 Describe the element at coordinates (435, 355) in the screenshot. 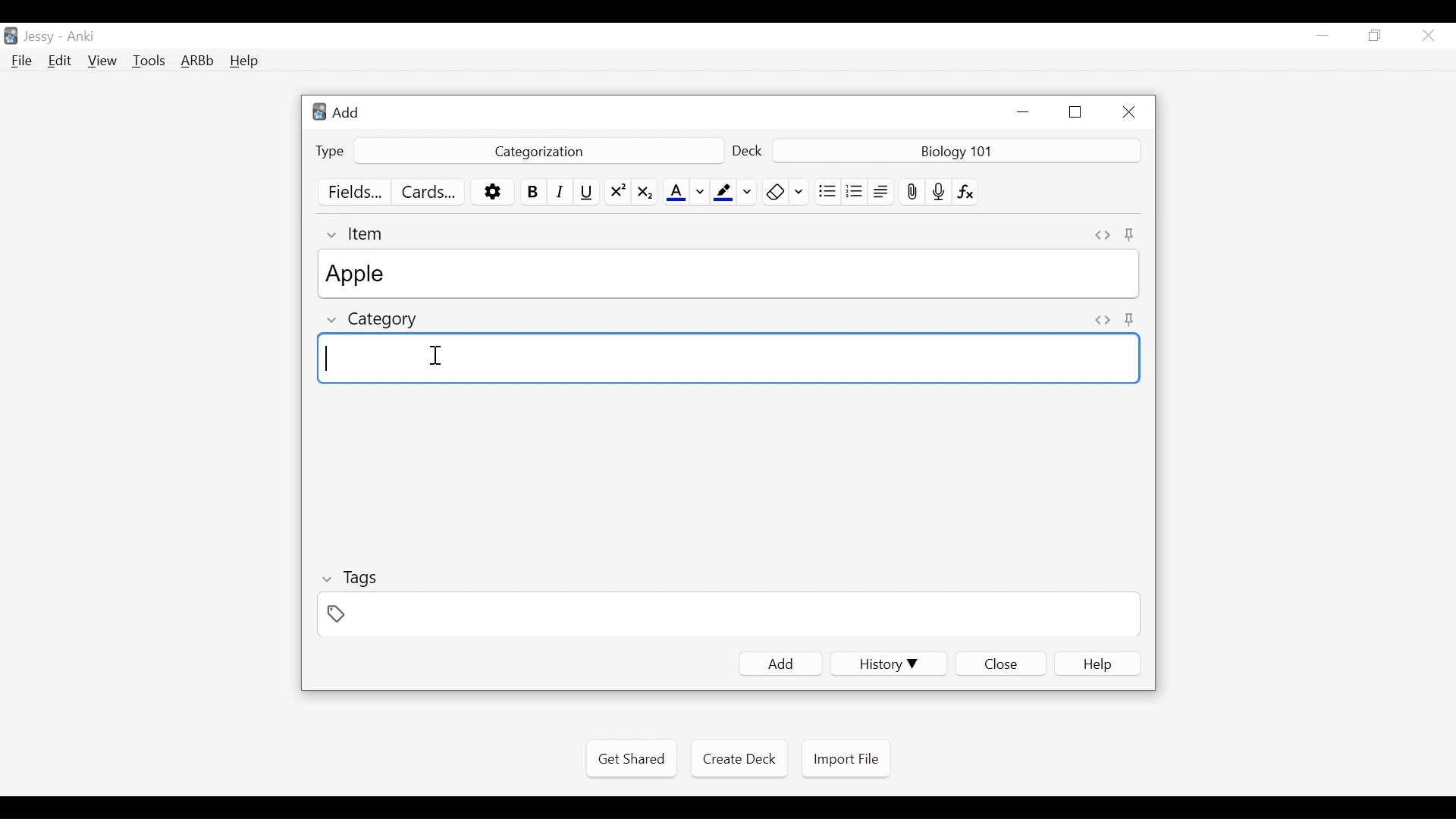

I see `Cursor` at that location.